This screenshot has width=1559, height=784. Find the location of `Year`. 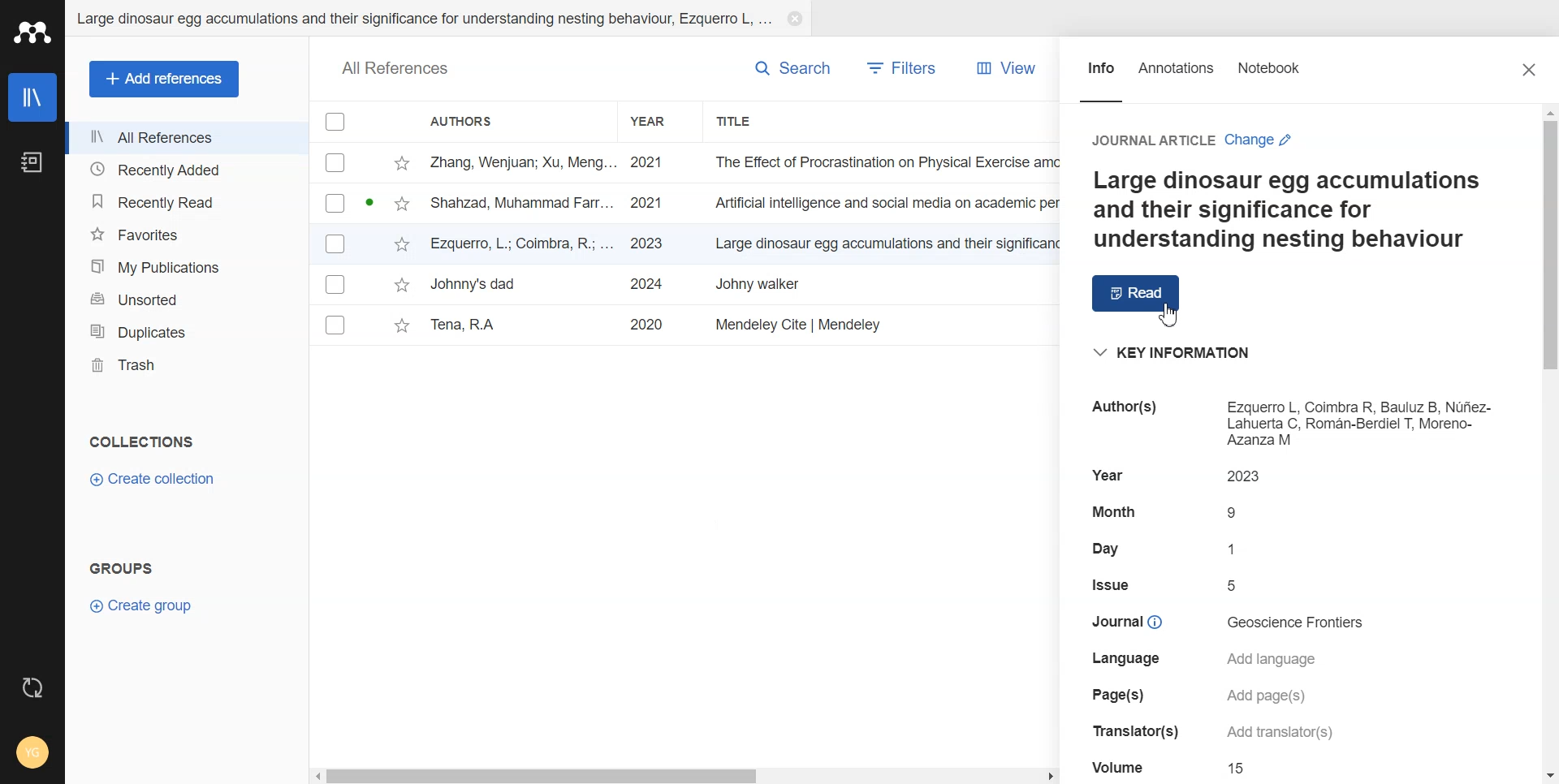

Year is located at coordinates (652, 121).